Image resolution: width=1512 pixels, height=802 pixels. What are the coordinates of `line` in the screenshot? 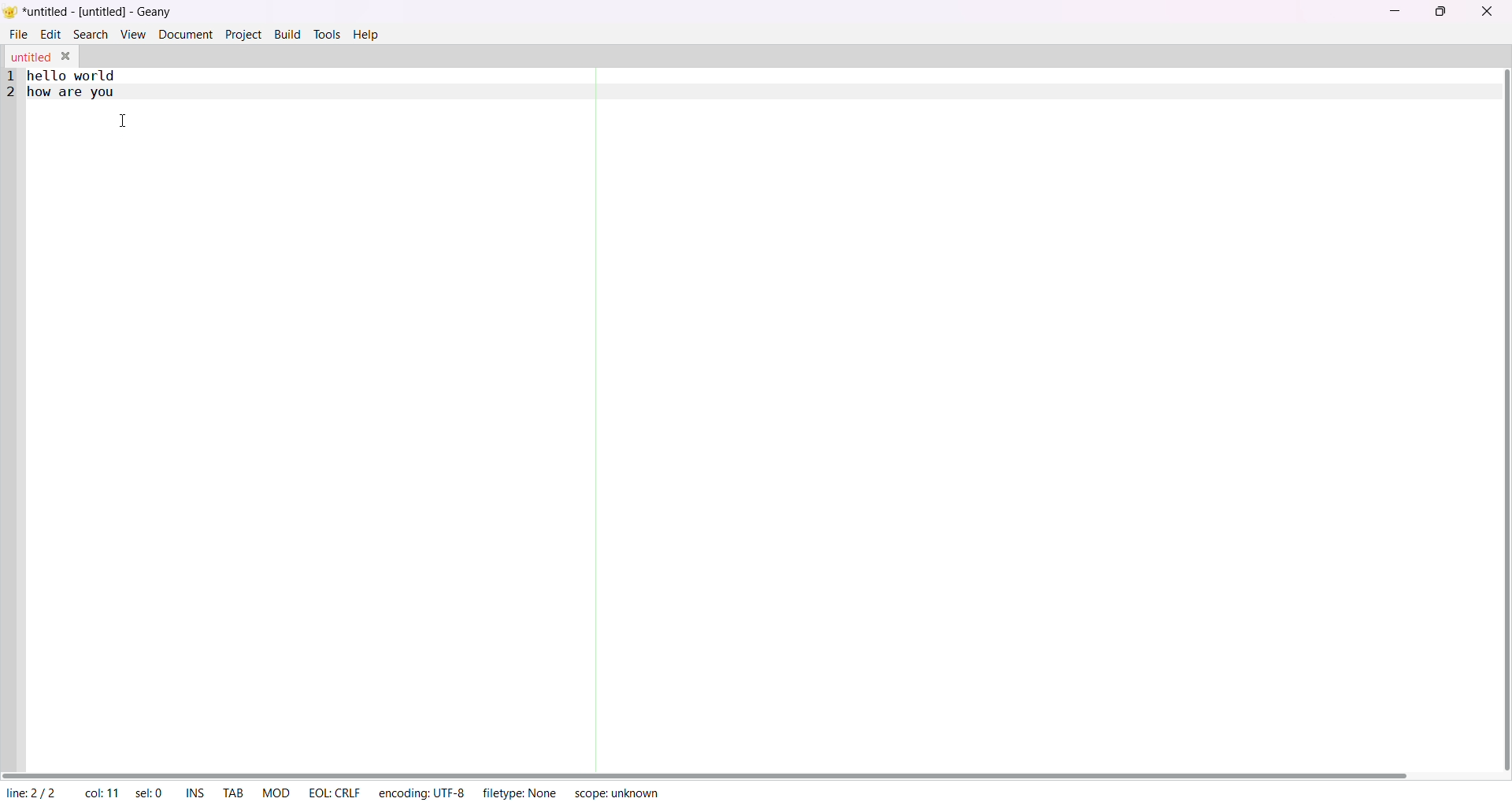 It's located at (31, 790).